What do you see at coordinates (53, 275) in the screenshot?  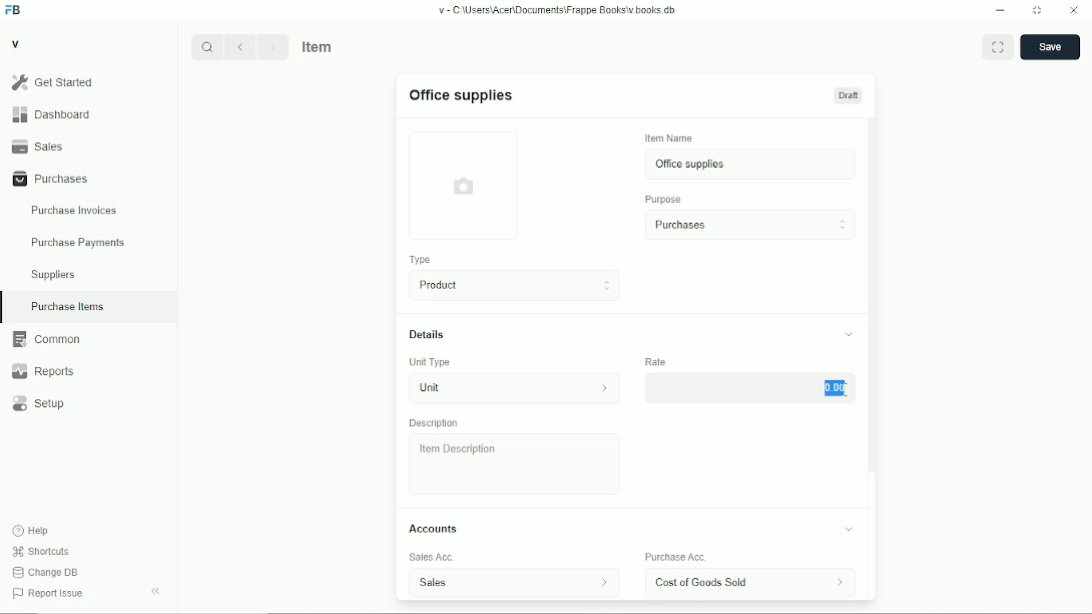 I see `suppliers` at bounding box center [53, 275].